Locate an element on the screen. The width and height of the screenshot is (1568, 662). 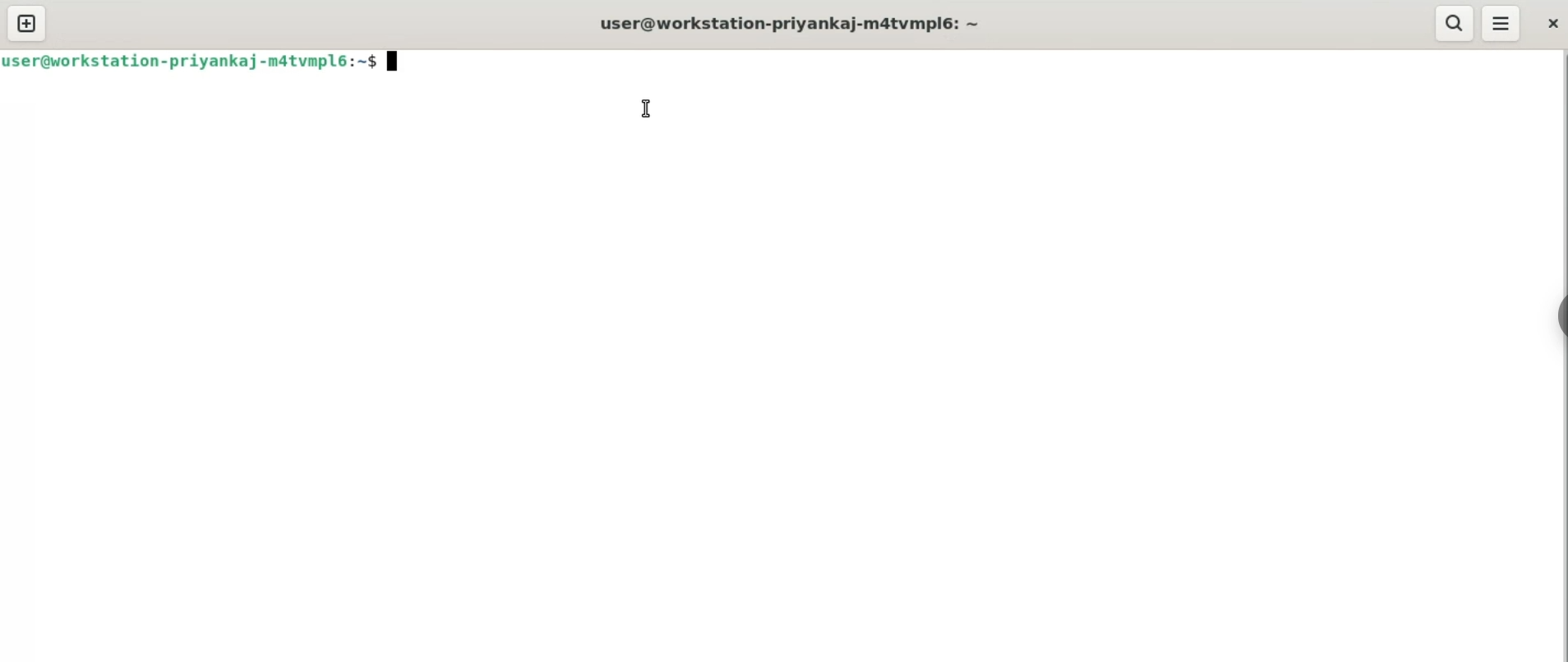
user@workstation-priyankaj-m4tvmpl6: ~ is located at coordinates (797, 22).